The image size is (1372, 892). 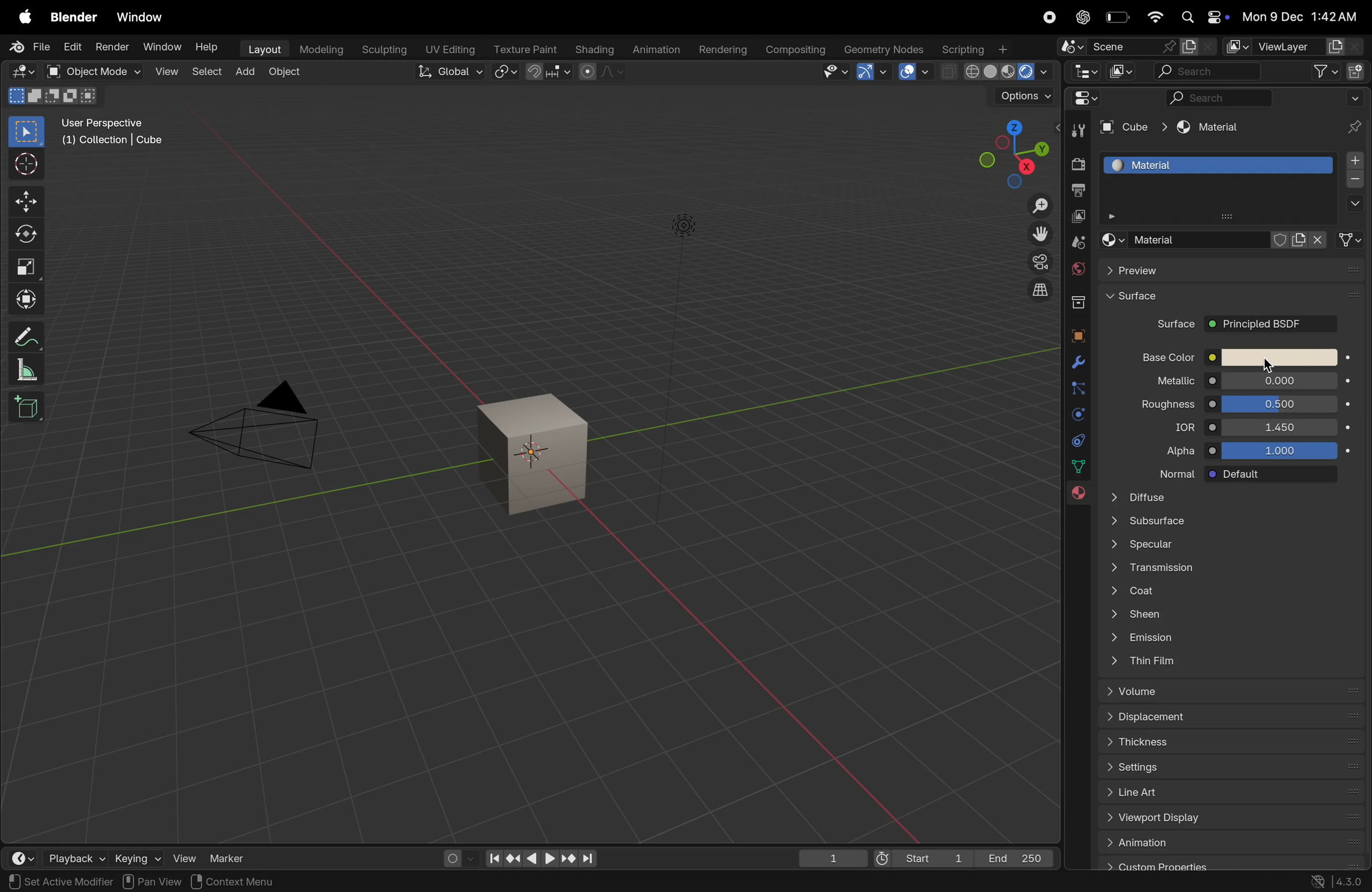 What do you see at coordinates (163, 48) in the screenshot?
I see `window` at bounding box center [163, 48].